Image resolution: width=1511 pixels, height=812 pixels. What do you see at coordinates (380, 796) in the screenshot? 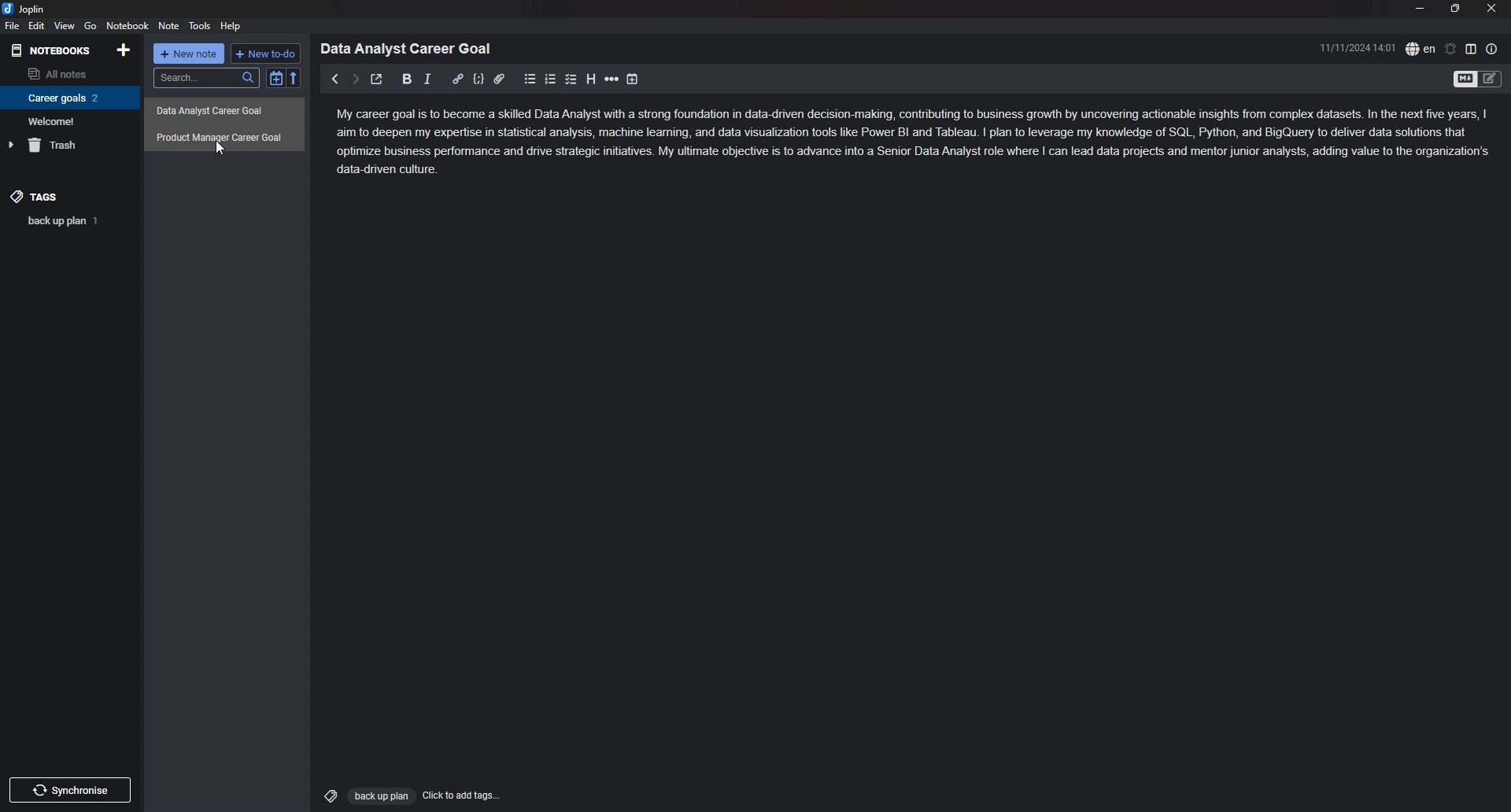
I see `Back up plan` at bounding box center [380, 796].